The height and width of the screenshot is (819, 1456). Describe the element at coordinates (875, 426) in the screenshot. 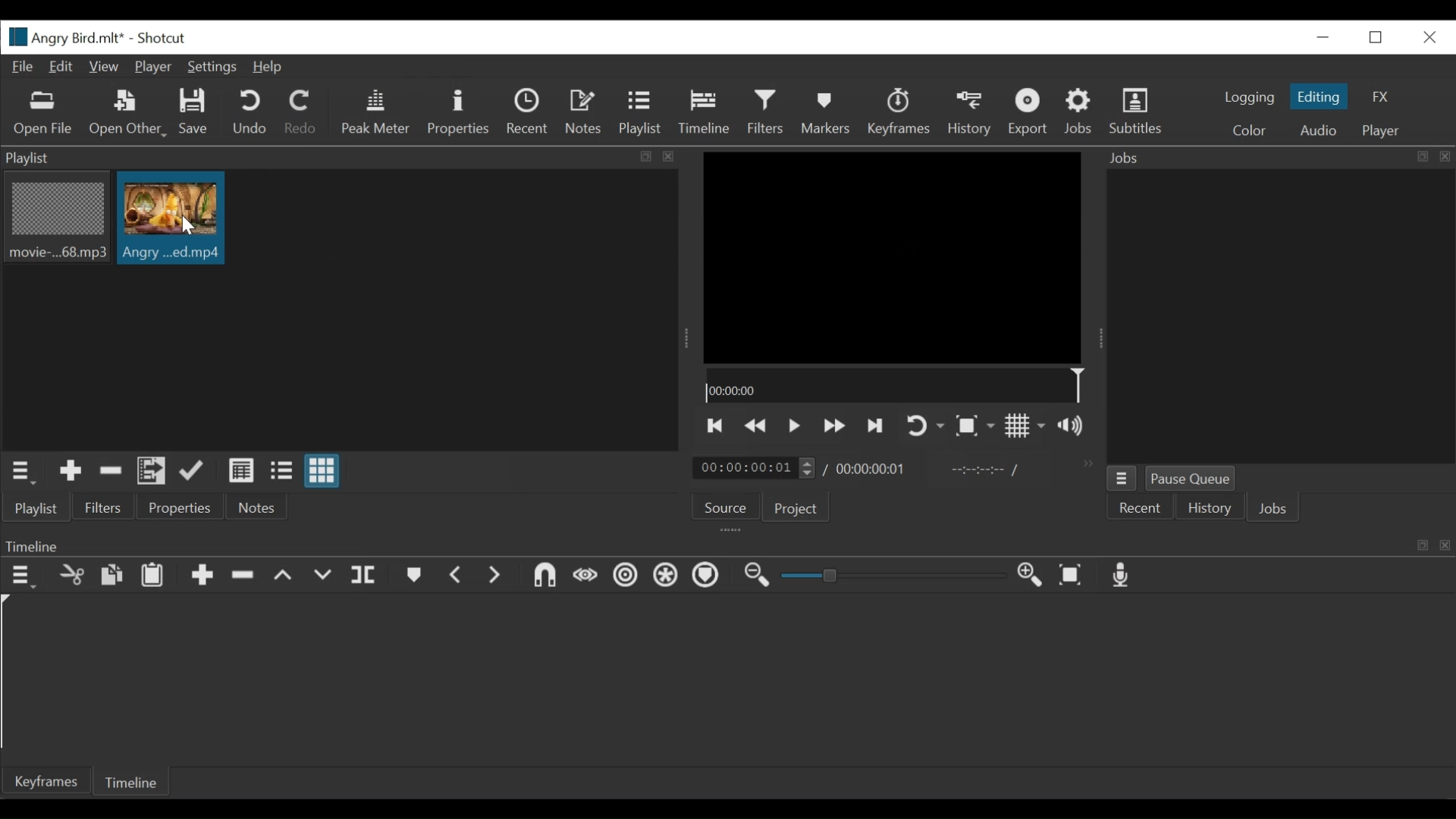

I see `Skip to the next point` at that location.